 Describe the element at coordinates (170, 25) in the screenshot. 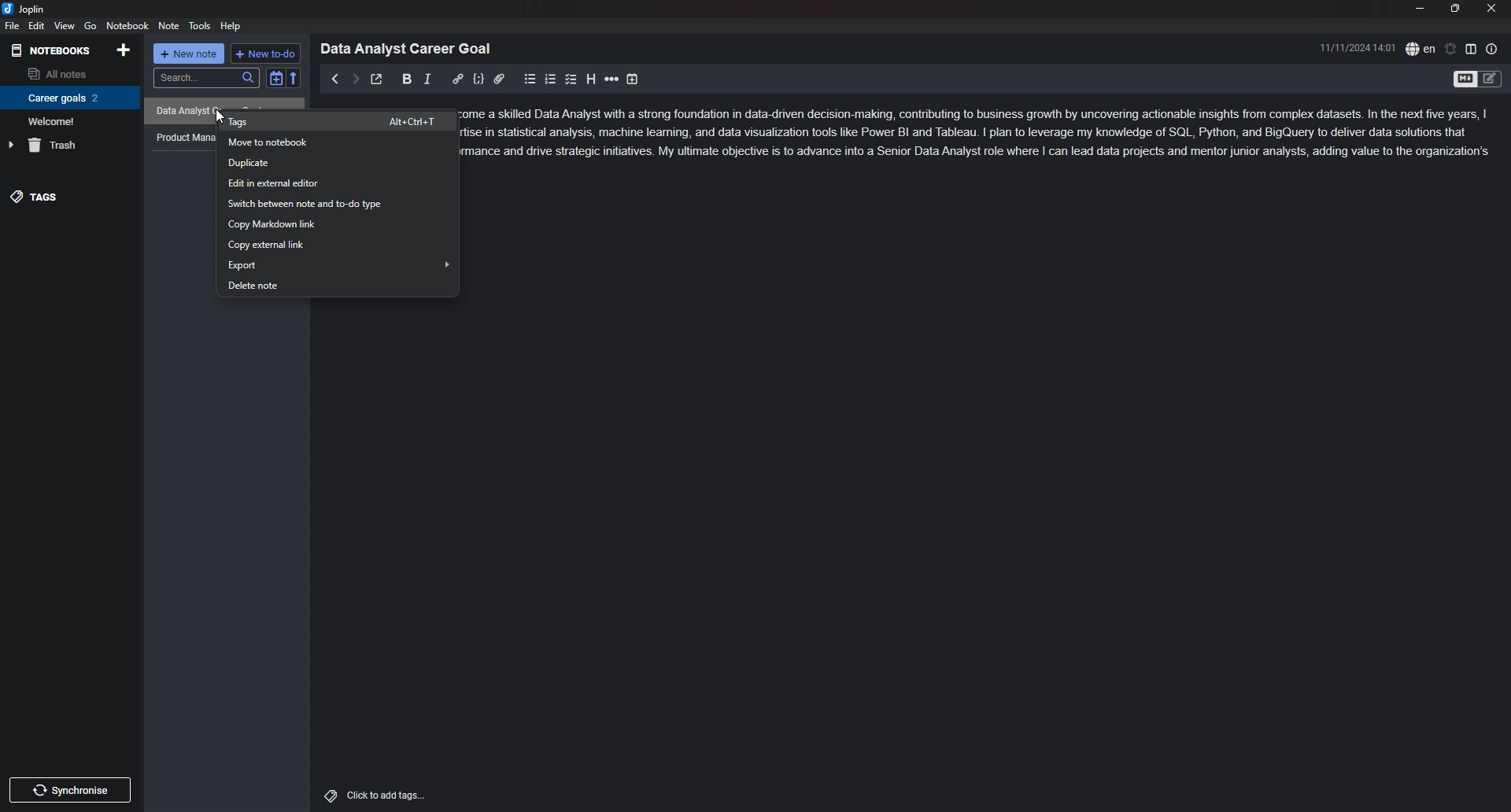

I see `note` at that location.